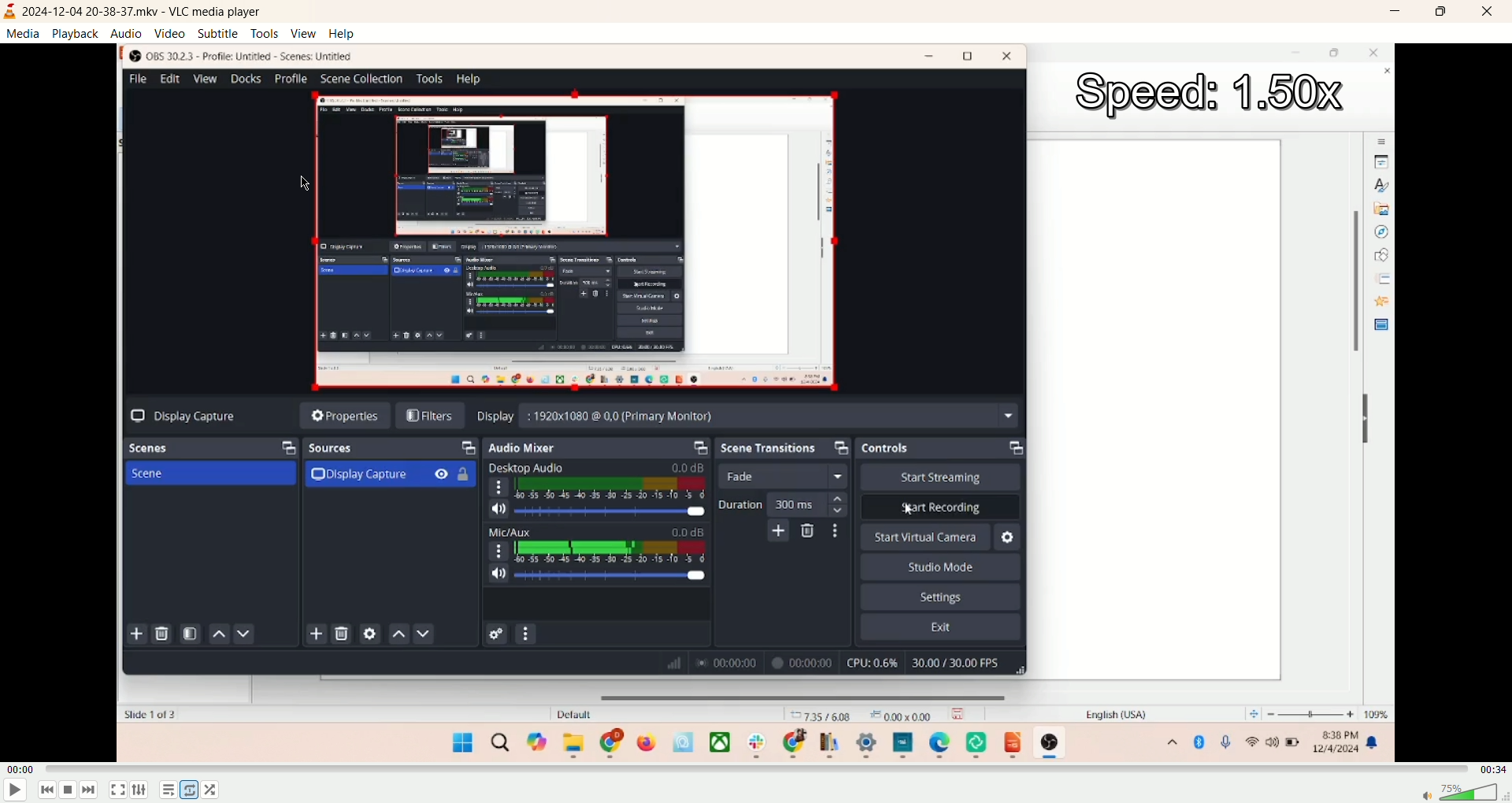  Describe the element at coordinates (187, 790) in the screenshot. I see `loop` at that location.